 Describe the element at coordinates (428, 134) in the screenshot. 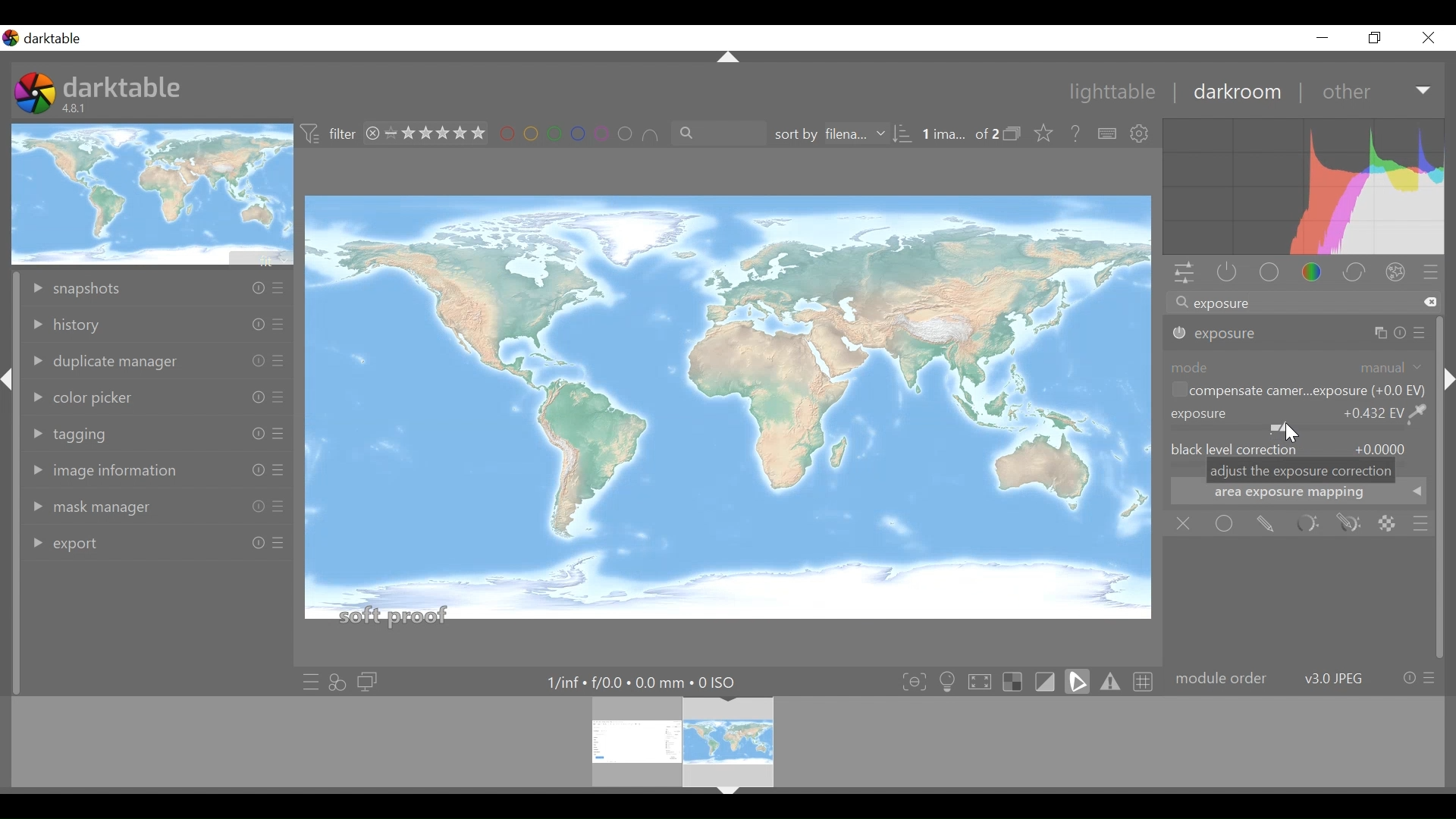

I see `range rating` at that location.